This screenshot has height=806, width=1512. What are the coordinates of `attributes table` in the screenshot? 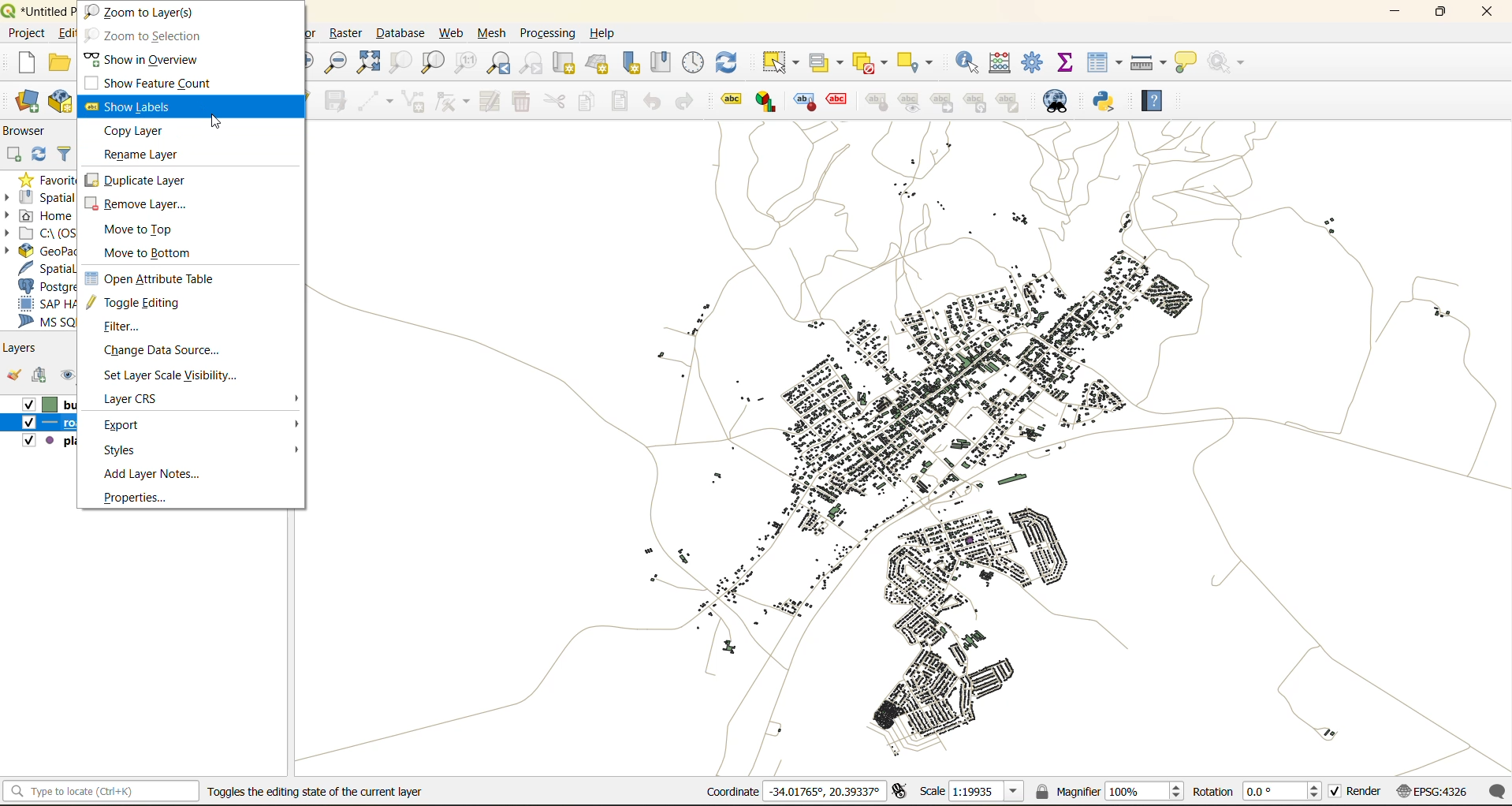 It's located at (1103, 63).